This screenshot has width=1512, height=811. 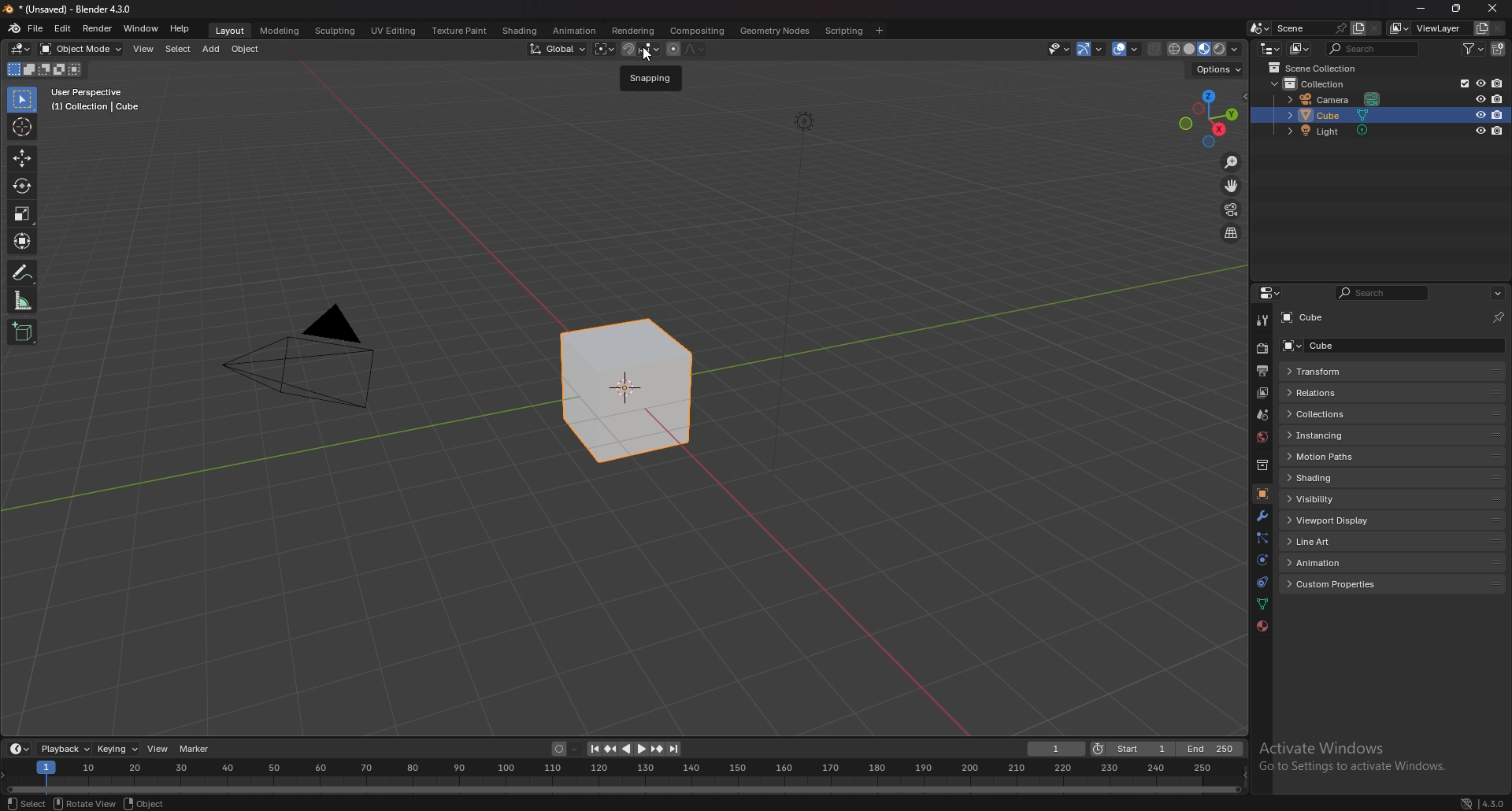 What do you see at coordinates (1373, 29) in the screenshot?
I see `delete scene` at bounding box center [1373, 29].